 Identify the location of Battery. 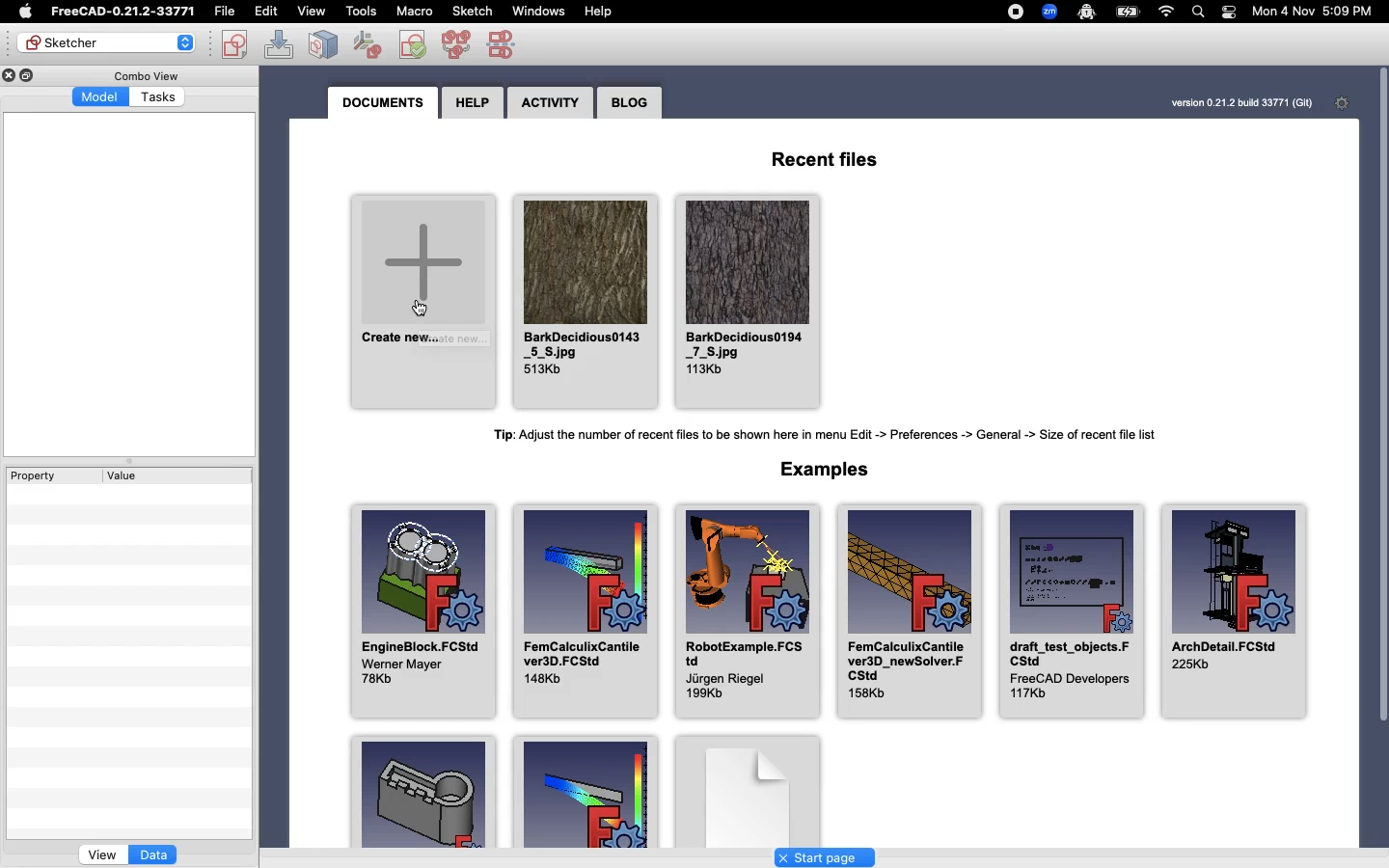
(1127, 14).